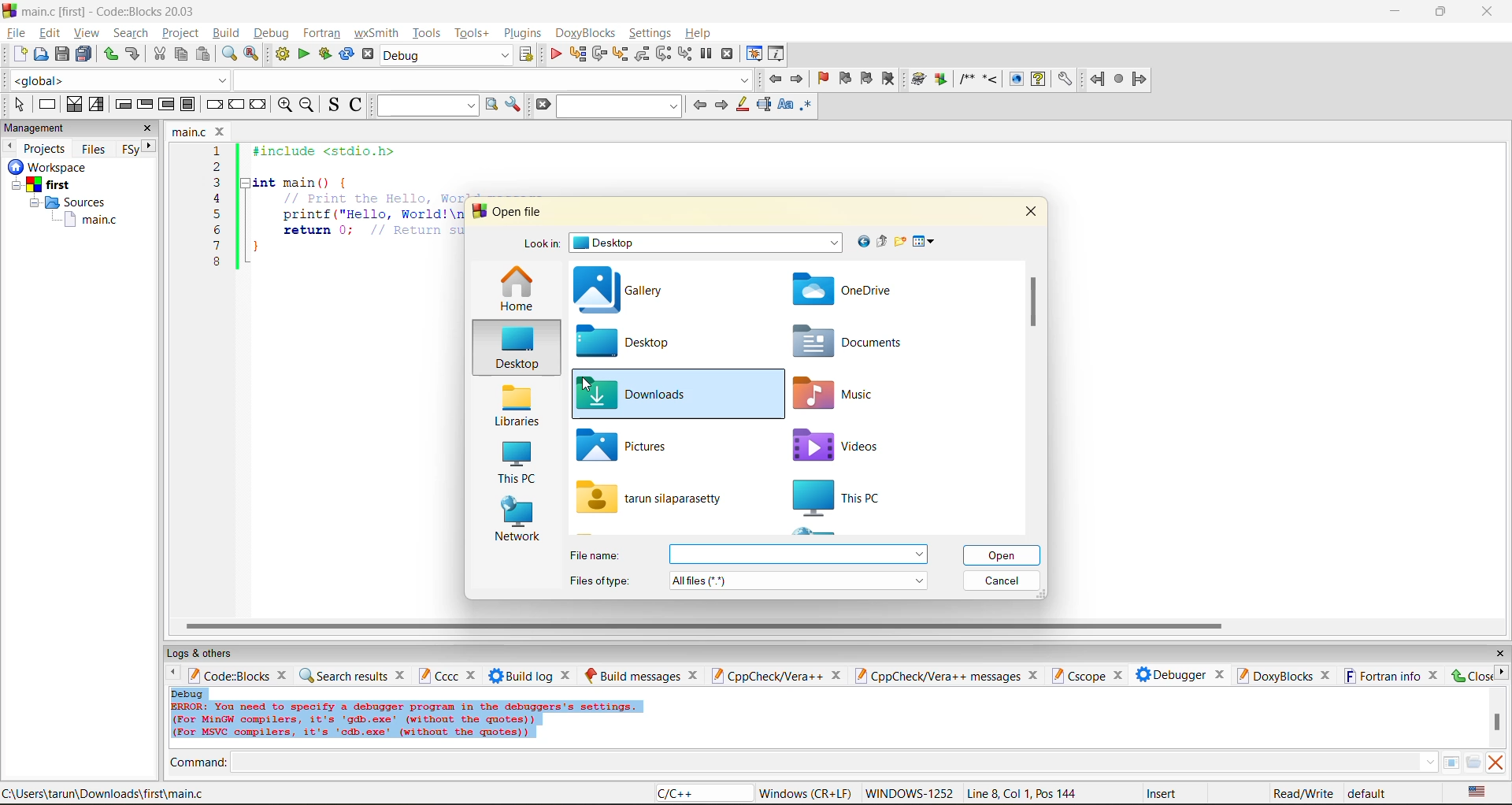 The height and width of the screenshot is (805, 1512). What do you see at coordinates (210, 653) in the screenshot?
I see `logs and others` at bounding box center [210, 653].